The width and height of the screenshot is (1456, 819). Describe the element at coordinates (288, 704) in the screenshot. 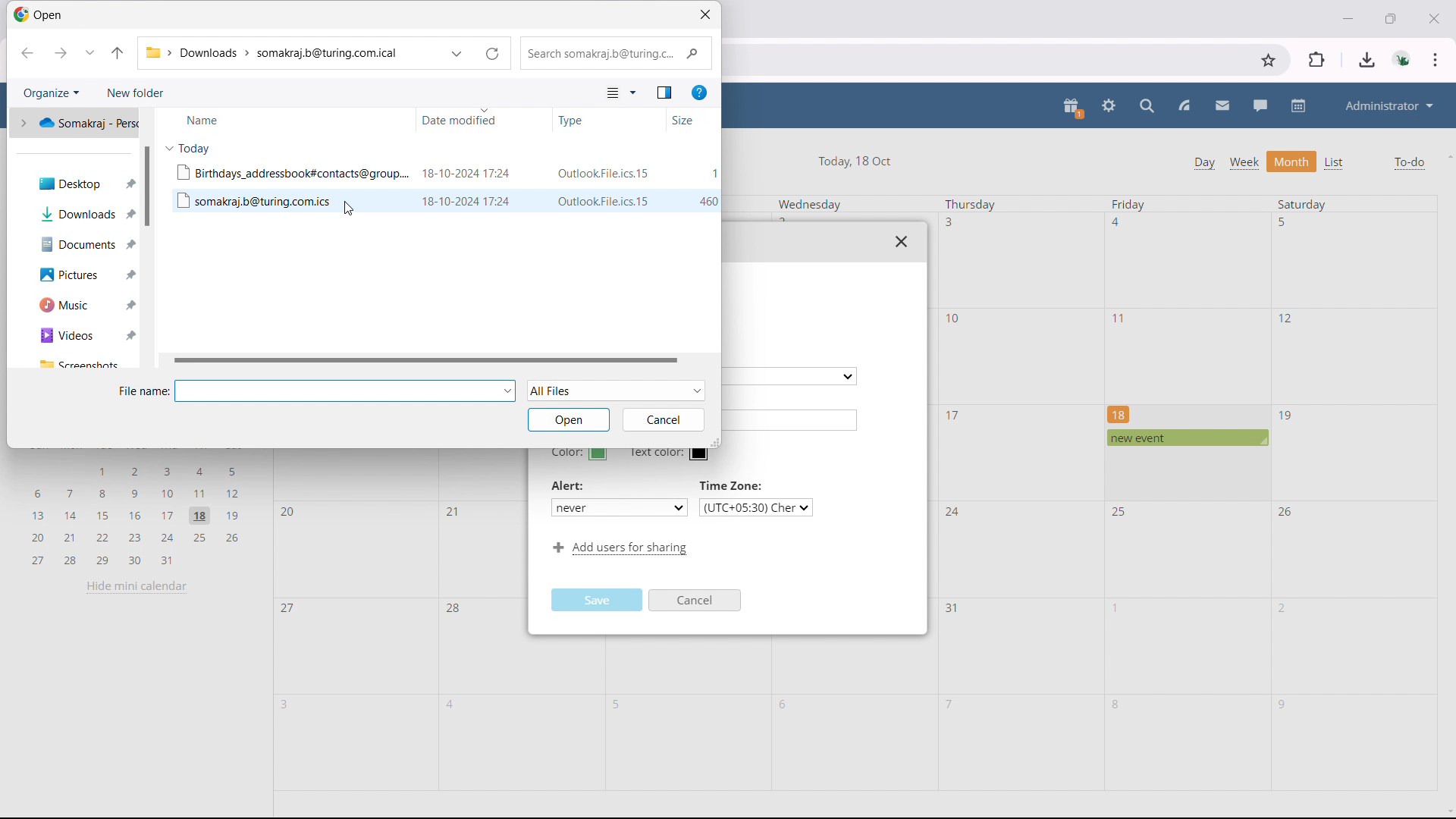

I see `3` at that location.